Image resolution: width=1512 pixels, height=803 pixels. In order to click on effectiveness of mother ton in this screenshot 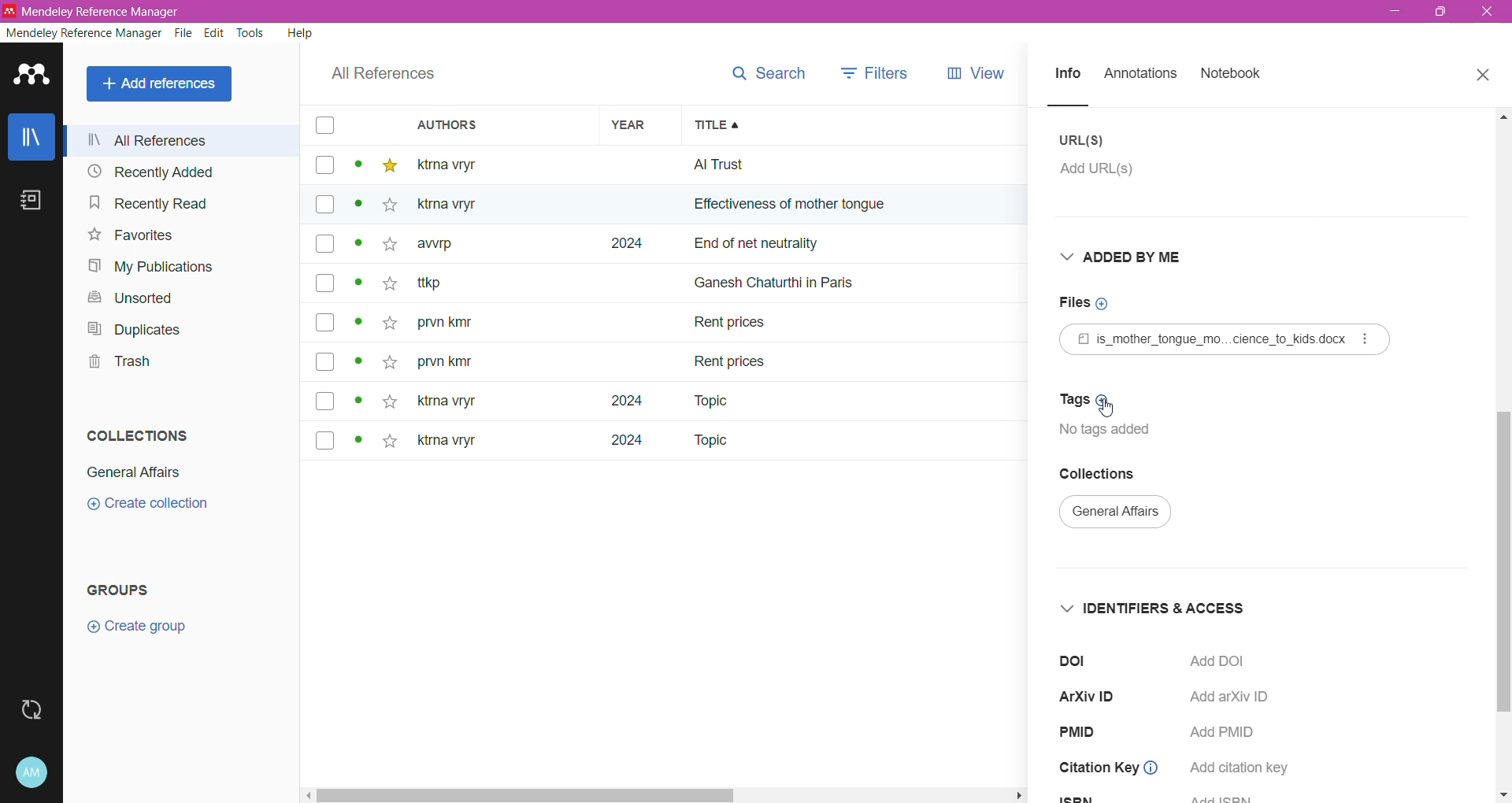, I will do `click(770, 208)`.